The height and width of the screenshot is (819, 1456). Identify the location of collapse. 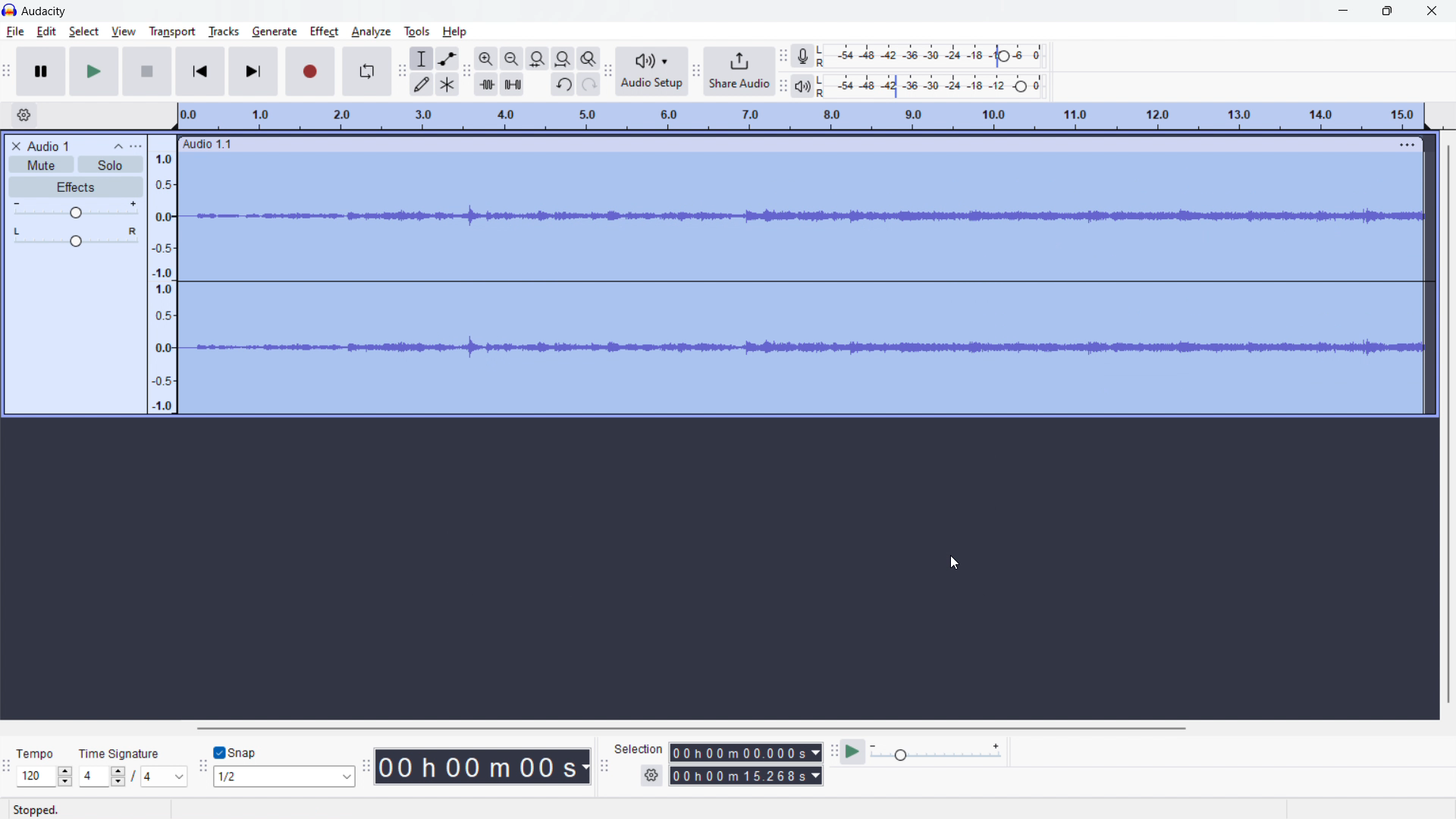
(116, 146).